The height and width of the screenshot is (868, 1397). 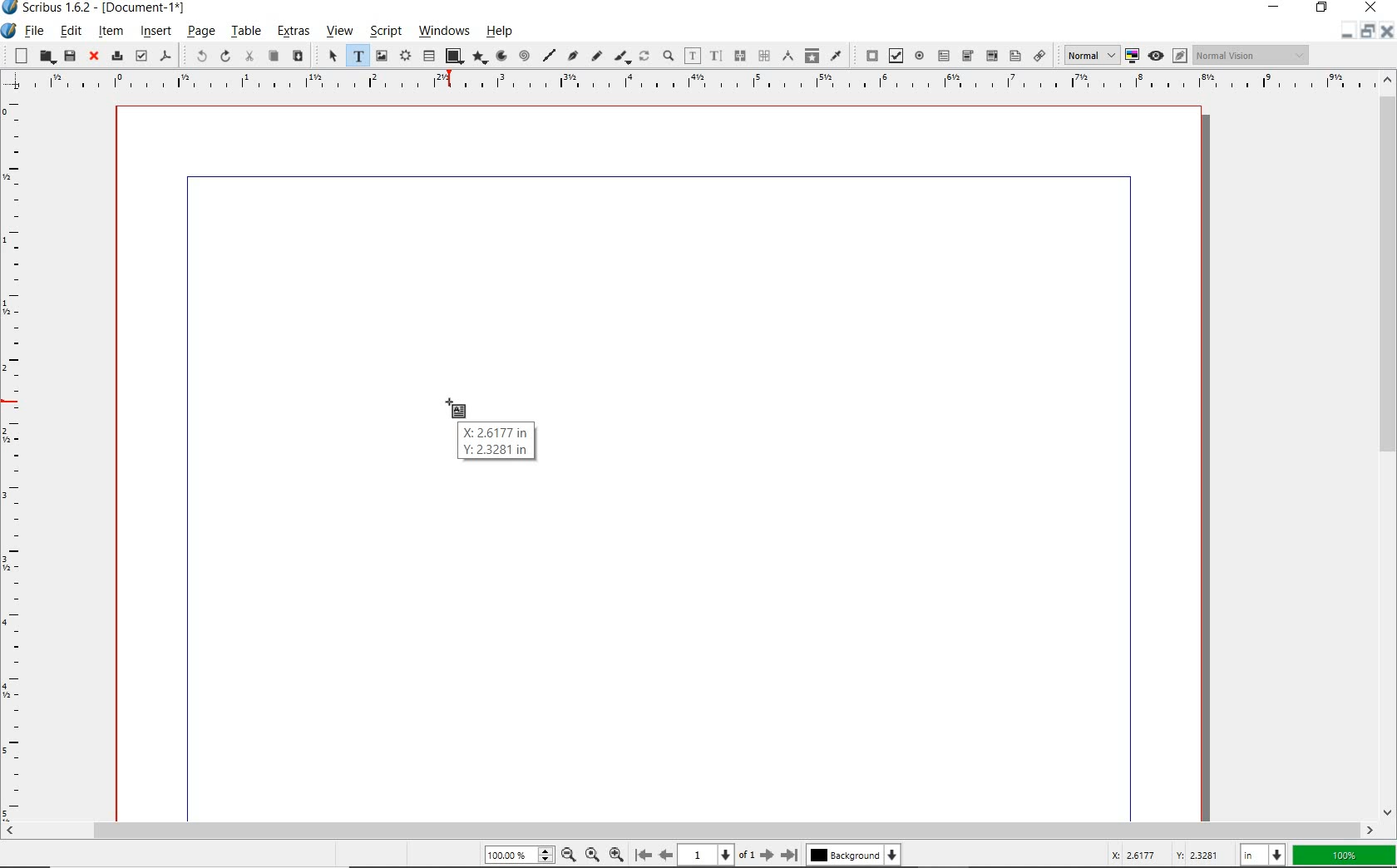 What do you see at coordinates (1014, 56) in the screenshot?
I see `pdf list box` at bounding box center [1014, 56].